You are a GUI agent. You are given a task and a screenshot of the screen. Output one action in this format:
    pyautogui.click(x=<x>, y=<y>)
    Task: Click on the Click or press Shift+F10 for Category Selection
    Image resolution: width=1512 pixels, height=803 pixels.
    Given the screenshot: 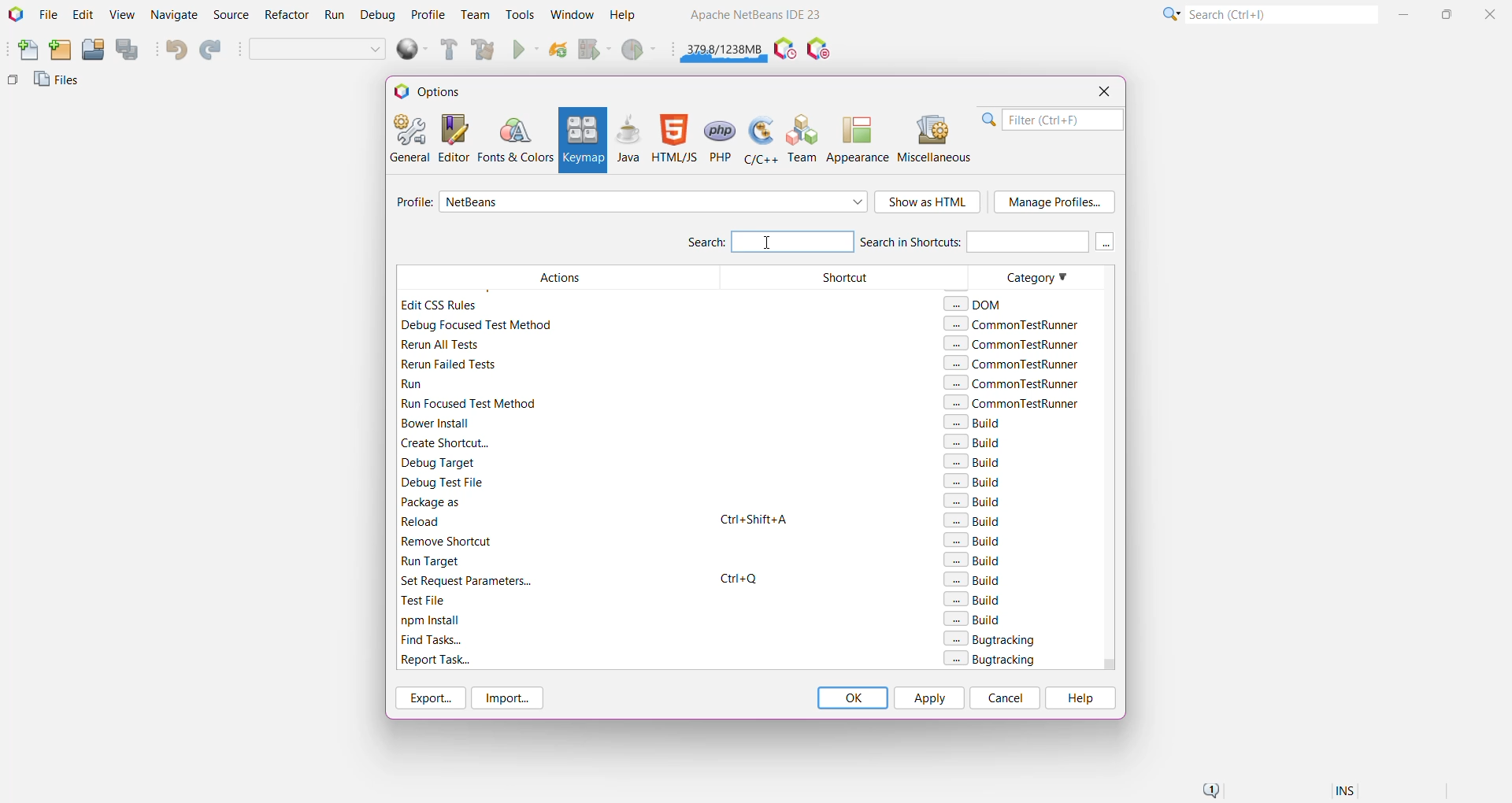 What is the action you would take?
    pyautogui.click(x=1169, y=13)
    